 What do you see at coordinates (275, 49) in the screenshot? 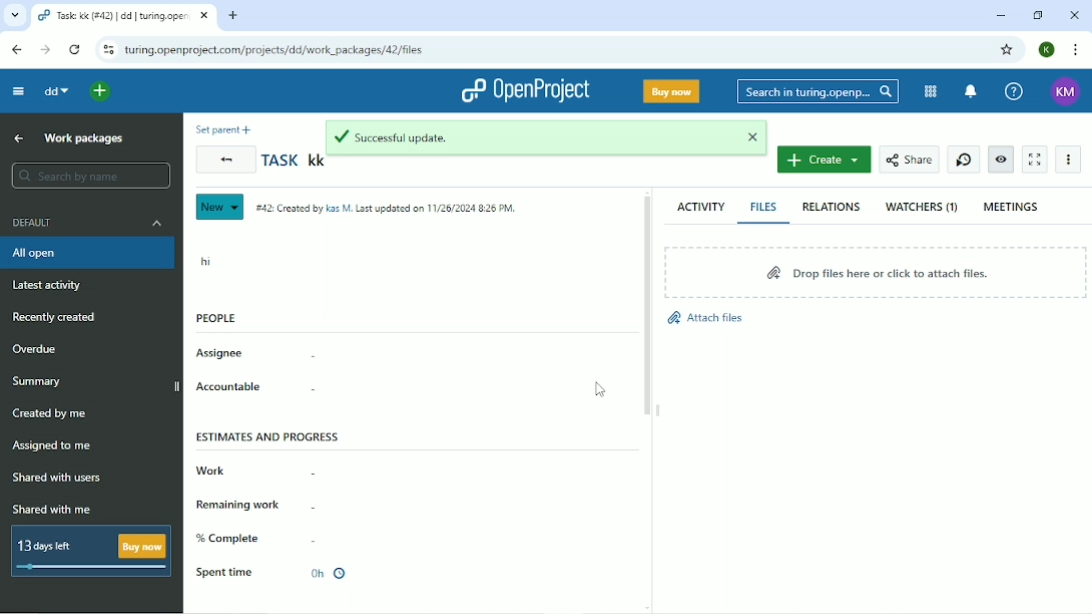
I see `turing.openproject.com/projects/dd/work_packages/42/files` at bounding box center [275, 49].